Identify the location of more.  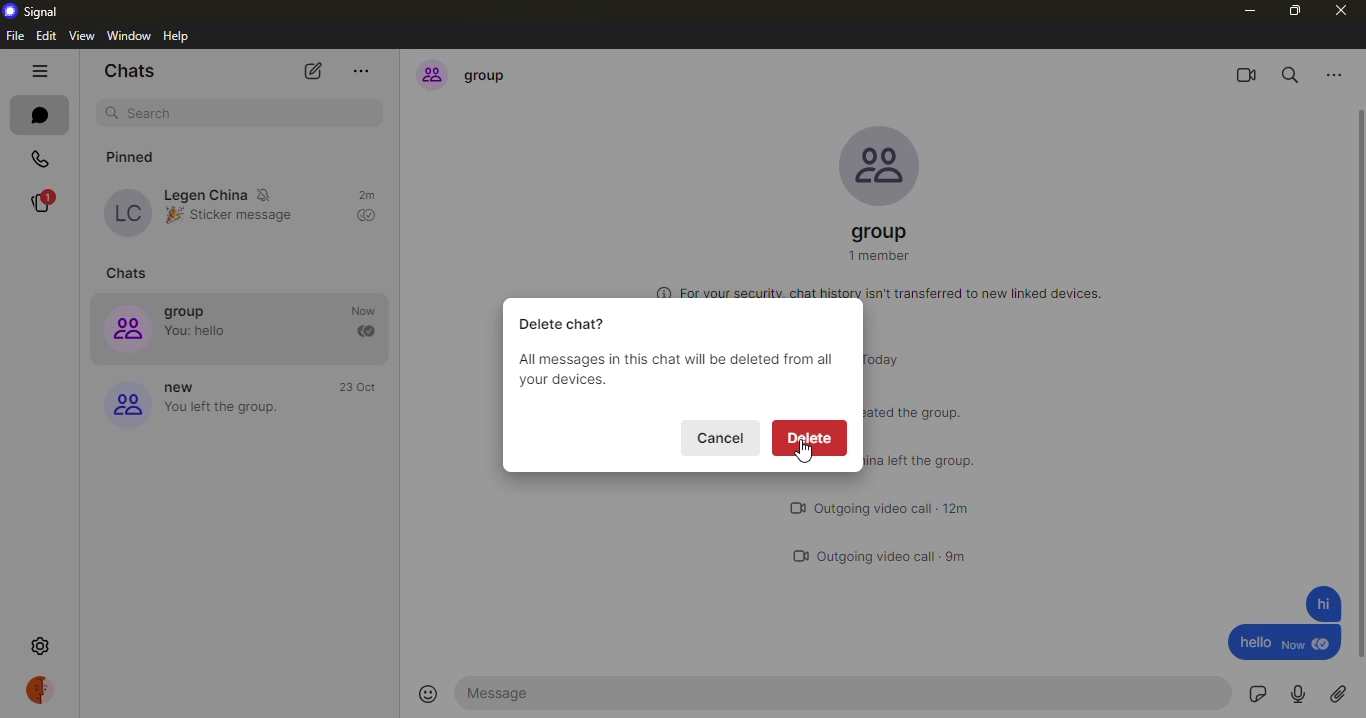
(368, 71).